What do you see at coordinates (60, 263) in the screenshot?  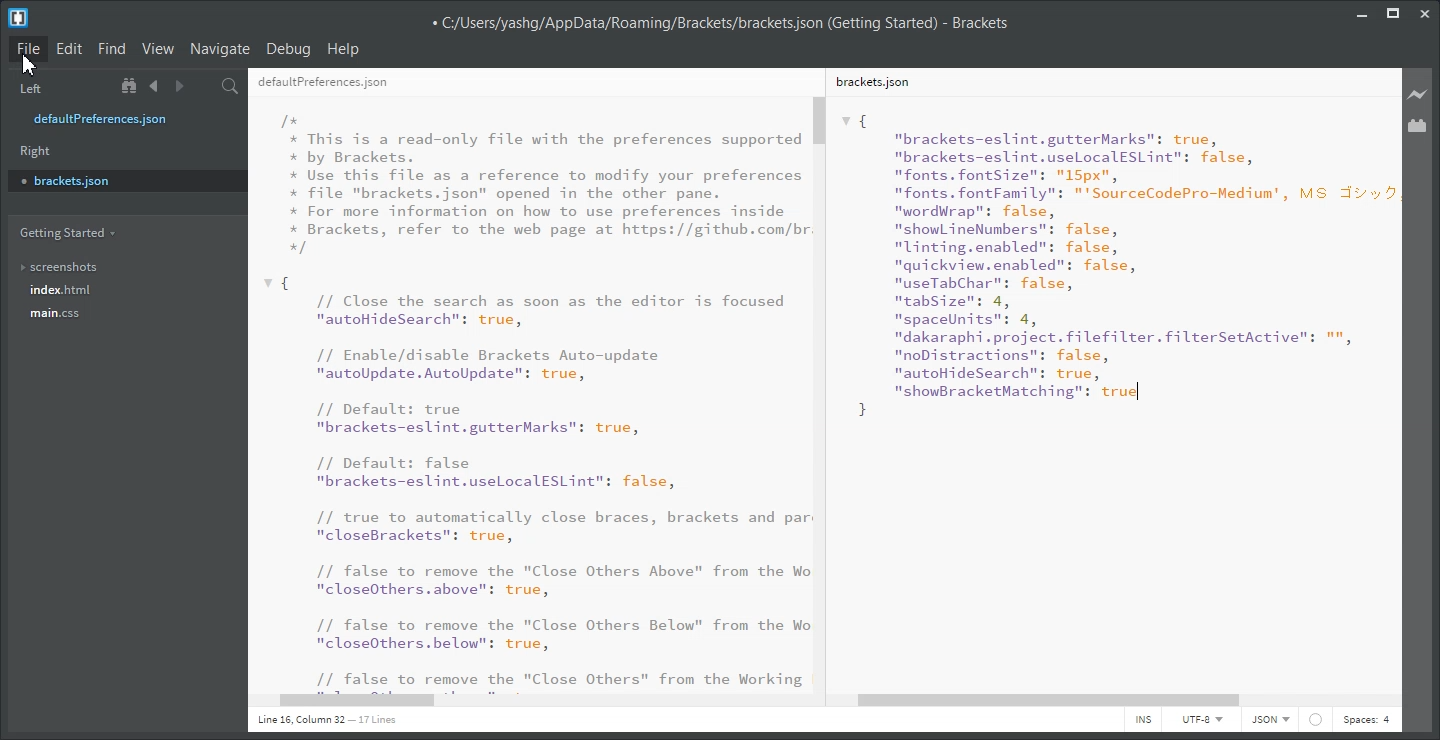 I see `screenshots` at bounding box center [60, 263].